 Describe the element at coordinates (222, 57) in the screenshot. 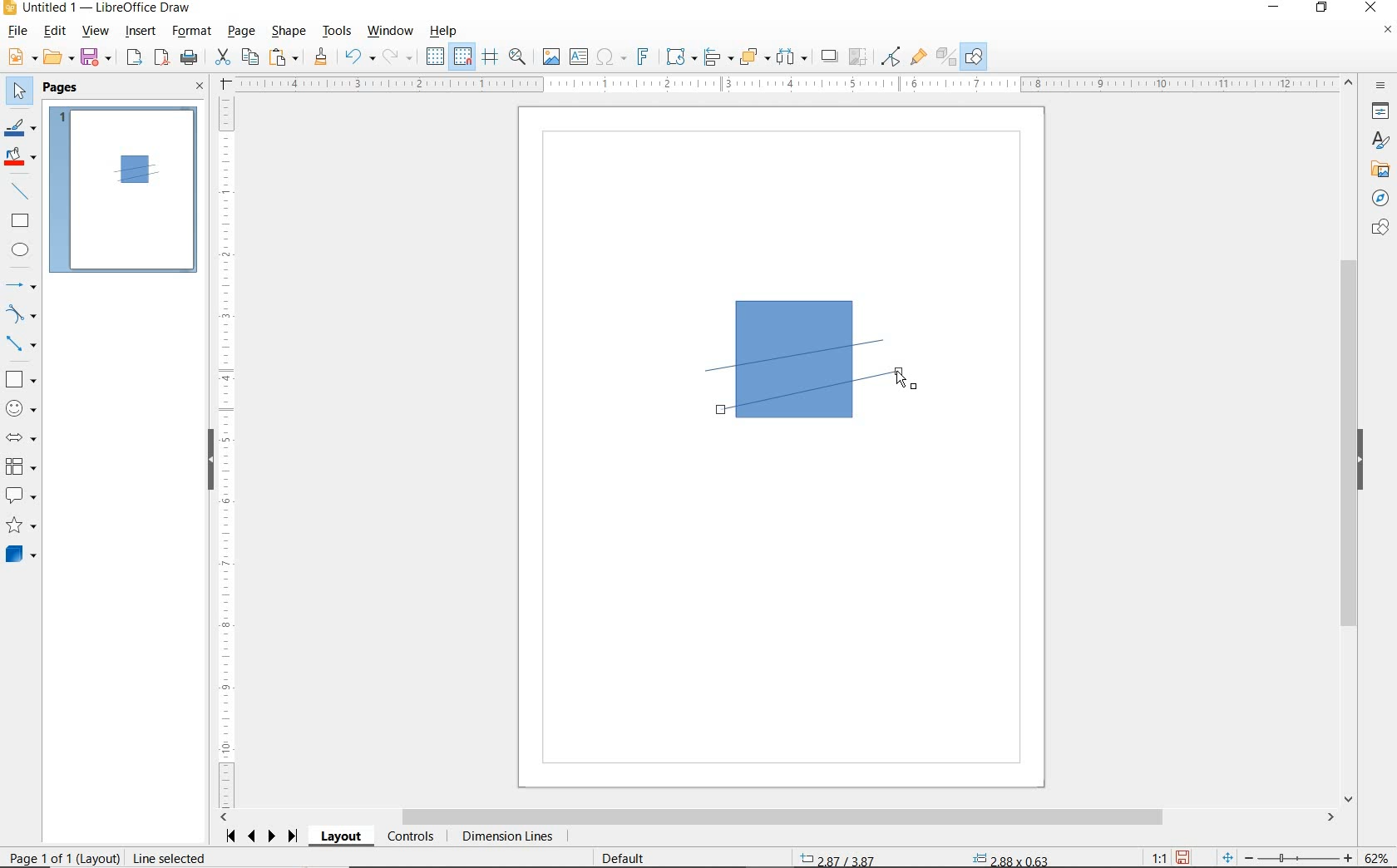

I see `CUT` at that location.